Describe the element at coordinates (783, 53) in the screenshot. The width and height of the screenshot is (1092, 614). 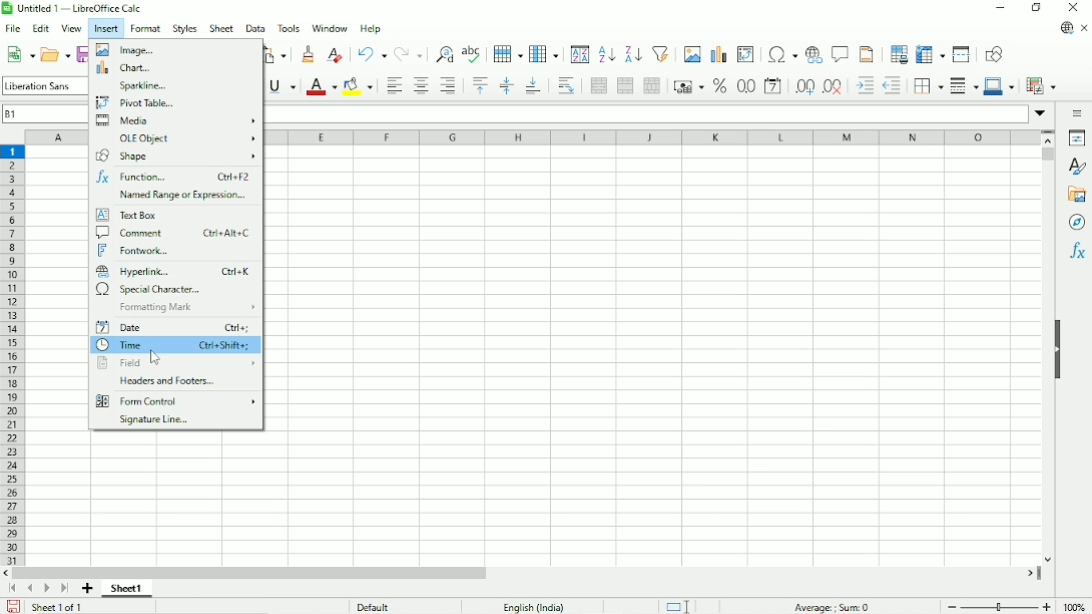
I see `Insert special characters` at that location.